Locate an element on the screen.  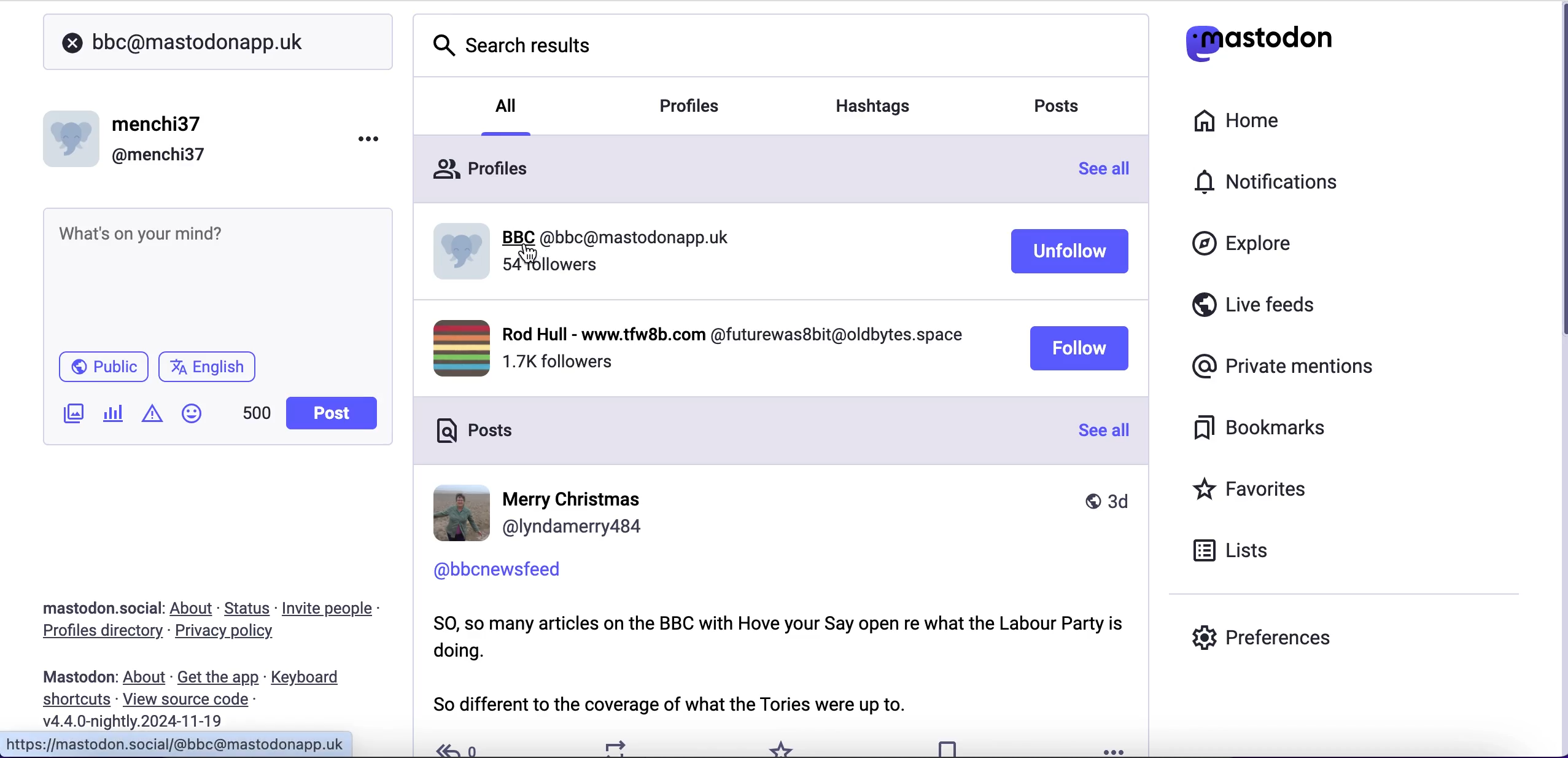
posts is located at coordinates (1057, 105).